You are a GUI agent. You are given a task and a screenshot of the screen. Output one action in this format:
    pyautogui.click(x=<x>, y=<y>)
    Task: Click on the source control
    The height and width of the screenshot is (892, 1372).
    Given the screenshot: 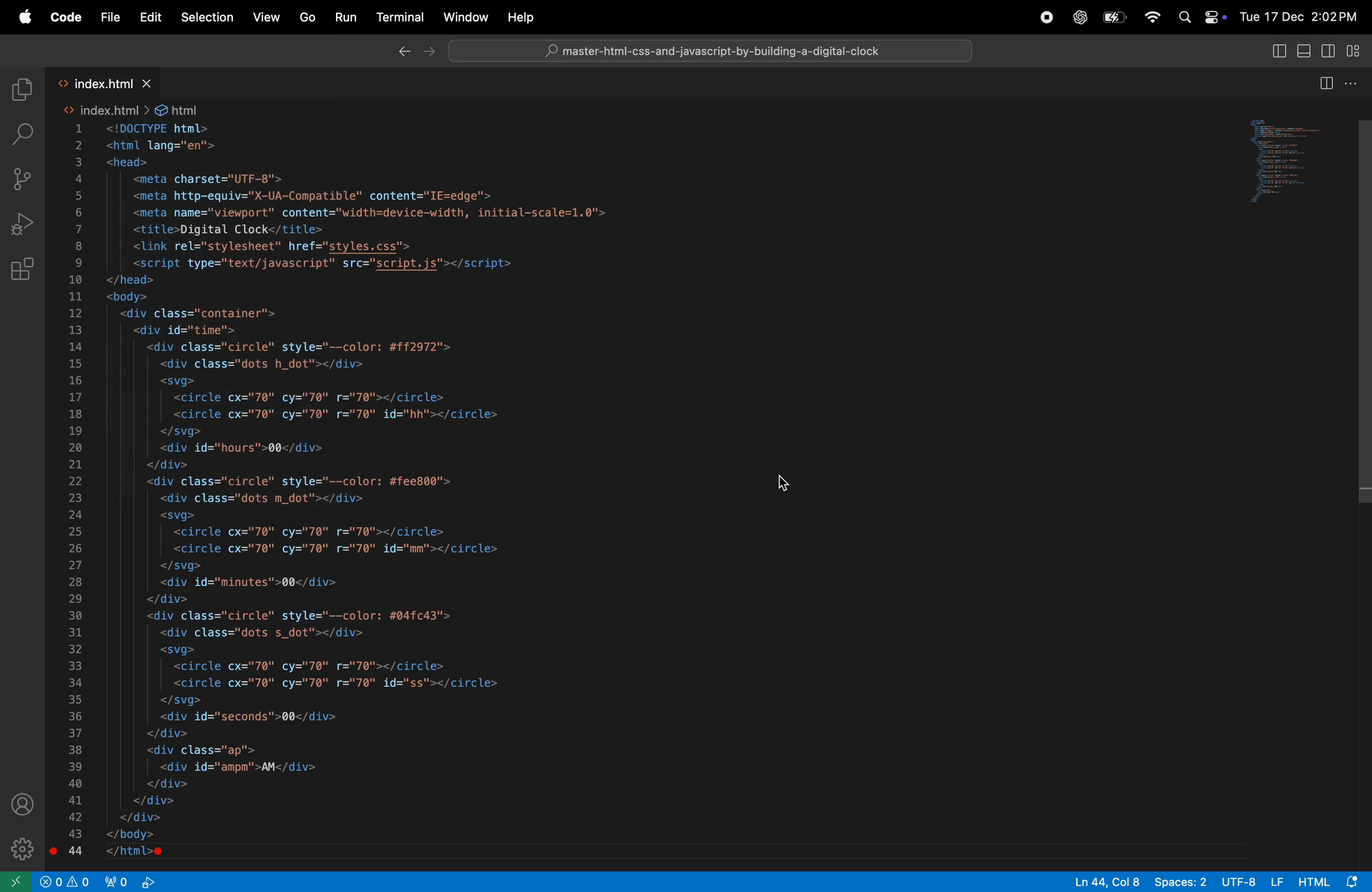 What is the action you would take?
    pyautogui.click(x=24, y=179)
    